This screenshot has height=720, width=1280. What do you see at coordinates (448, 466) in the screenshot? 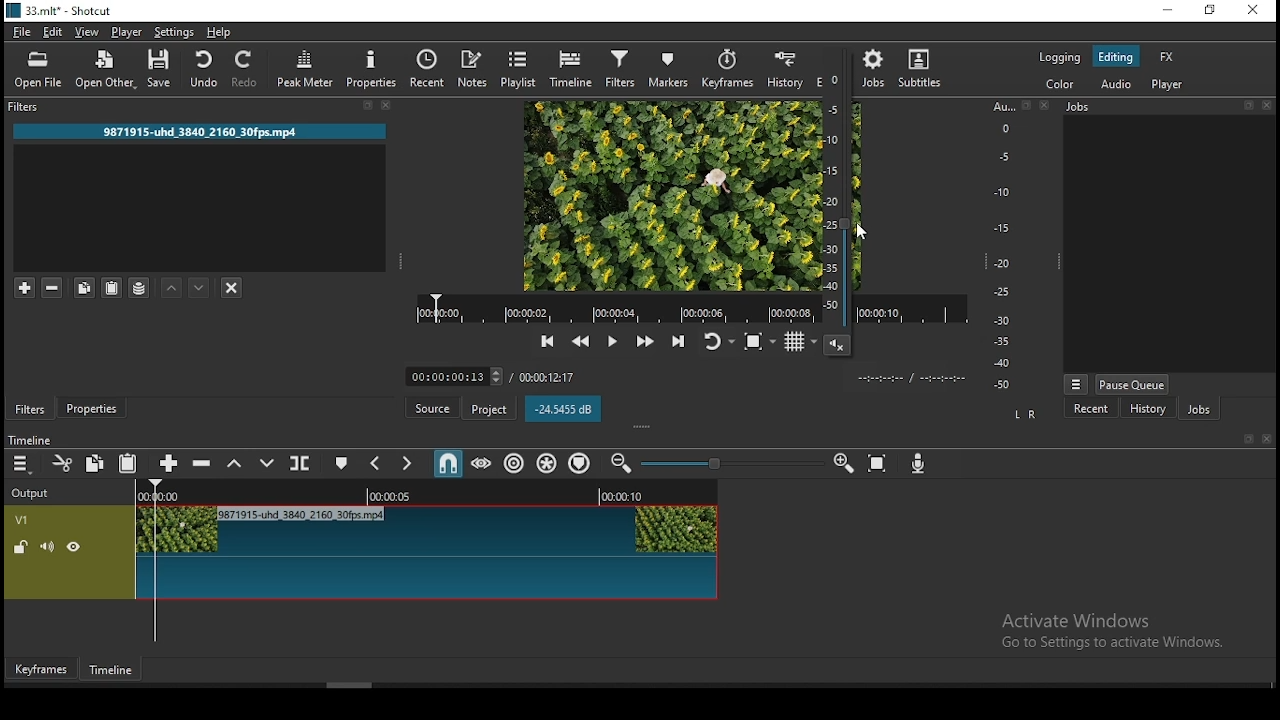
I see `snap` at bounding box center [448, 466].